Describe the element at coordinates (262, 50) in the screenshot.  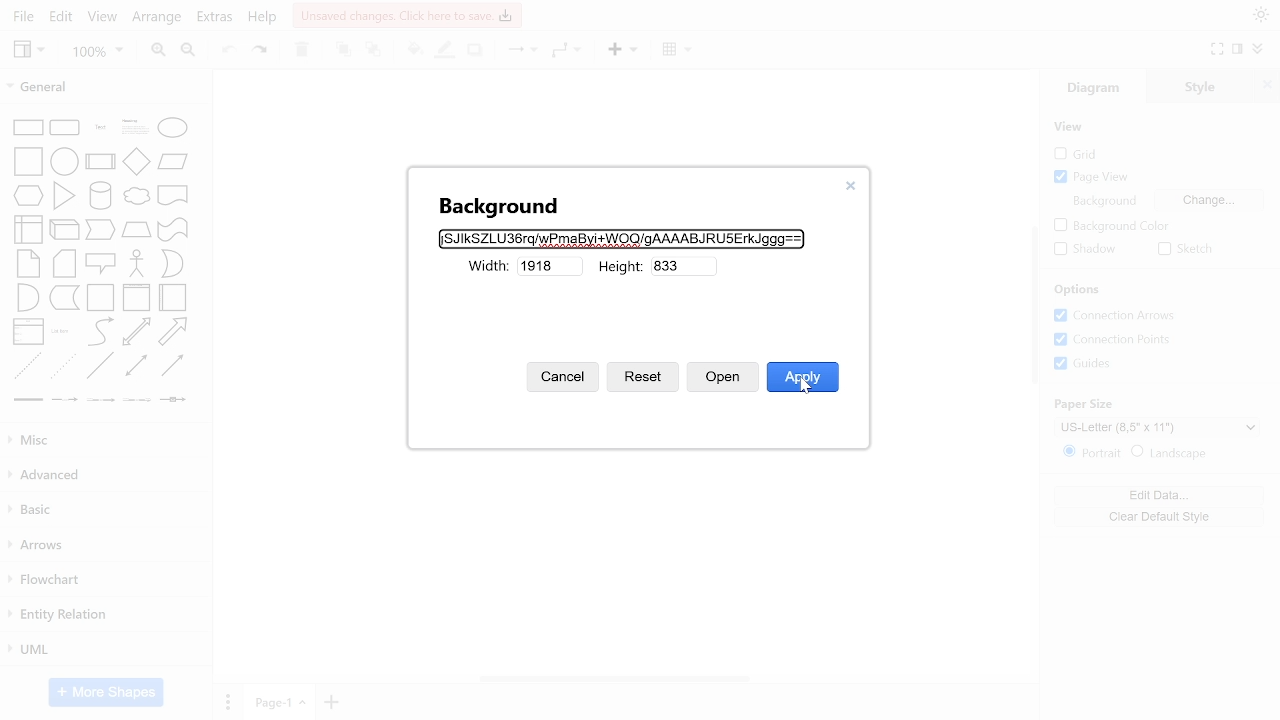
I see `redo` at that location.